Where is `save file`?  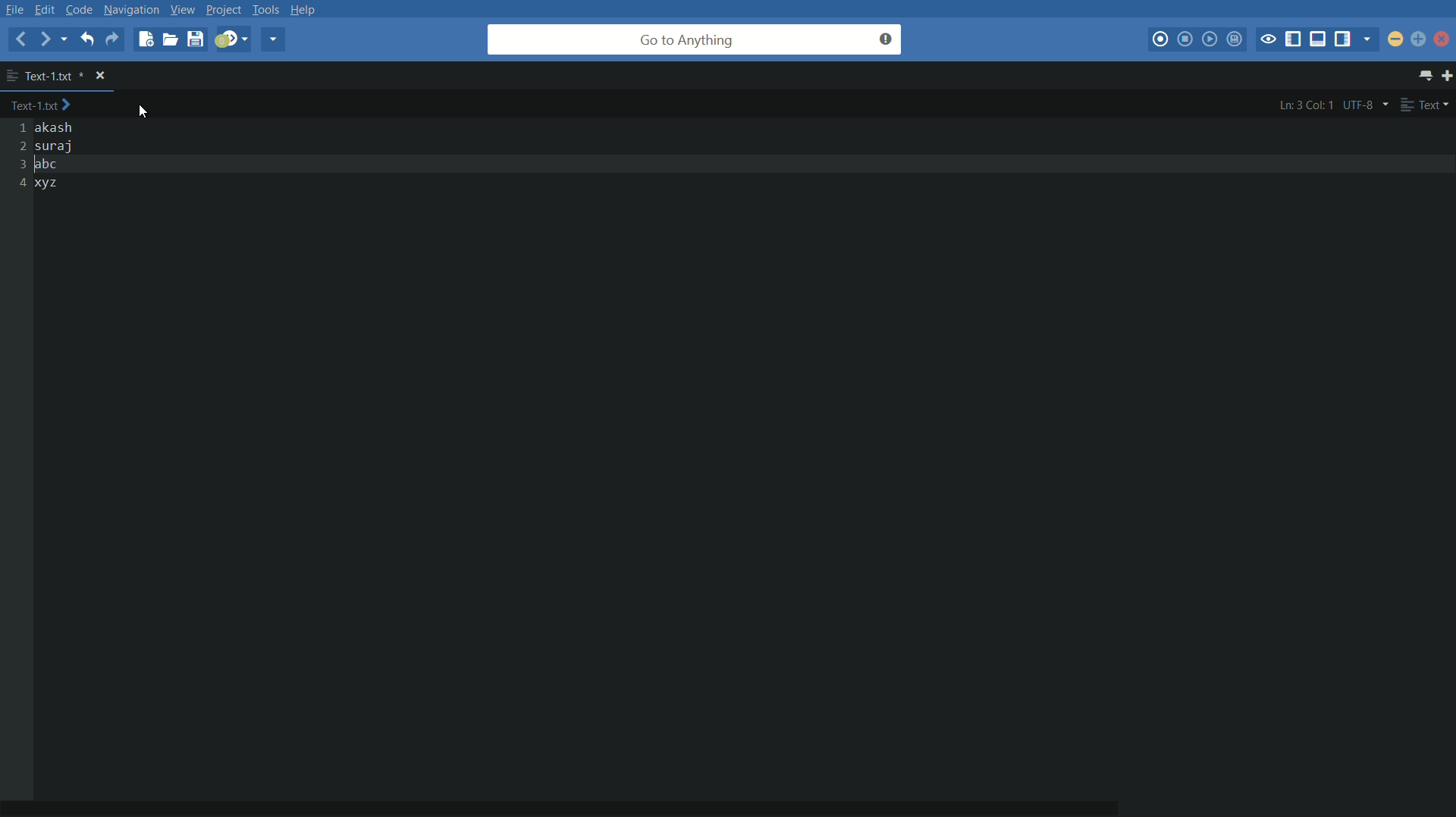 save file is located at coordinates (195, 40).